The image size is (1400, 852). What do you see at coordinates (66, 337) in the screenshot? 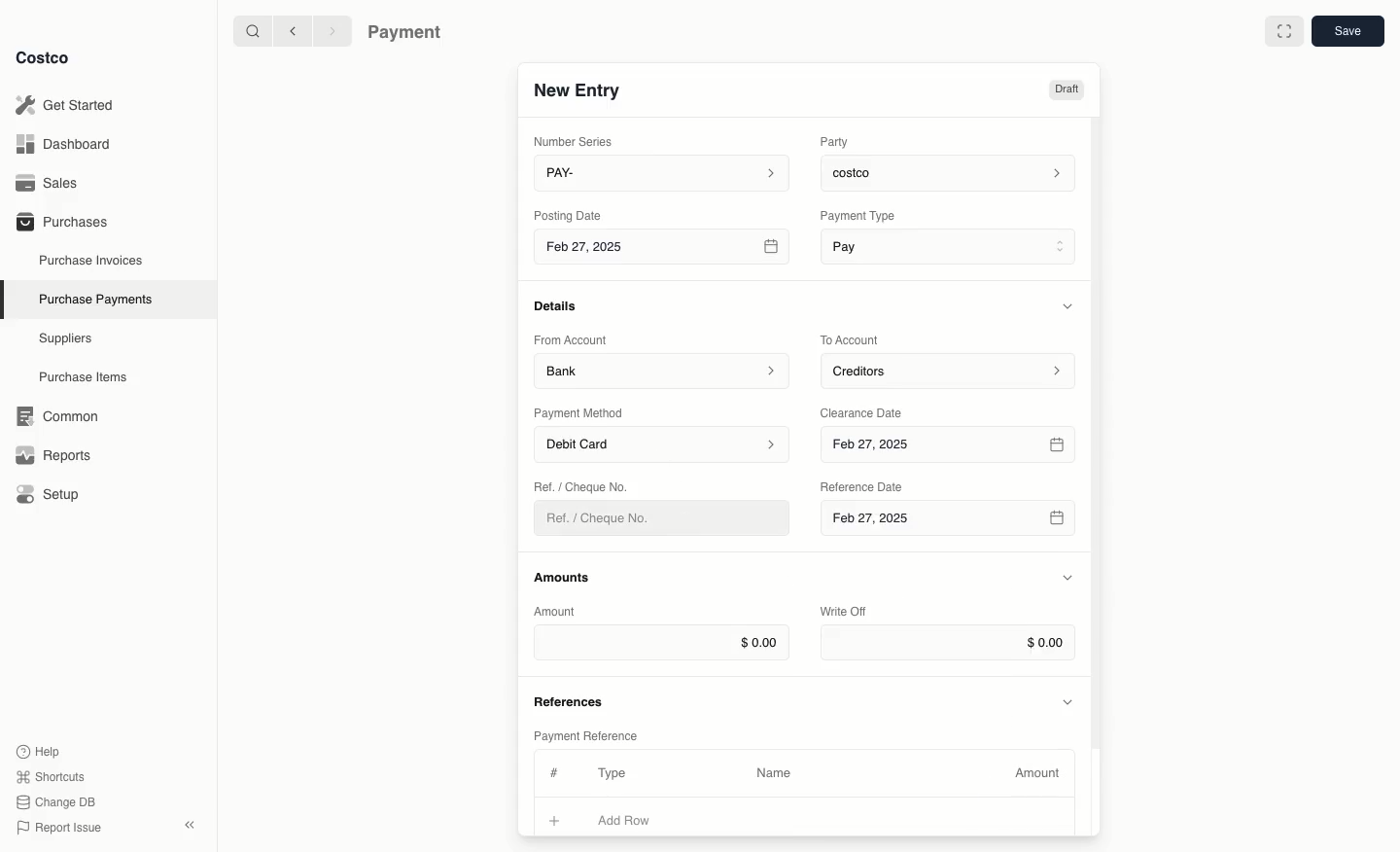
I see `Suppliers` at bounding box center [66, 337].